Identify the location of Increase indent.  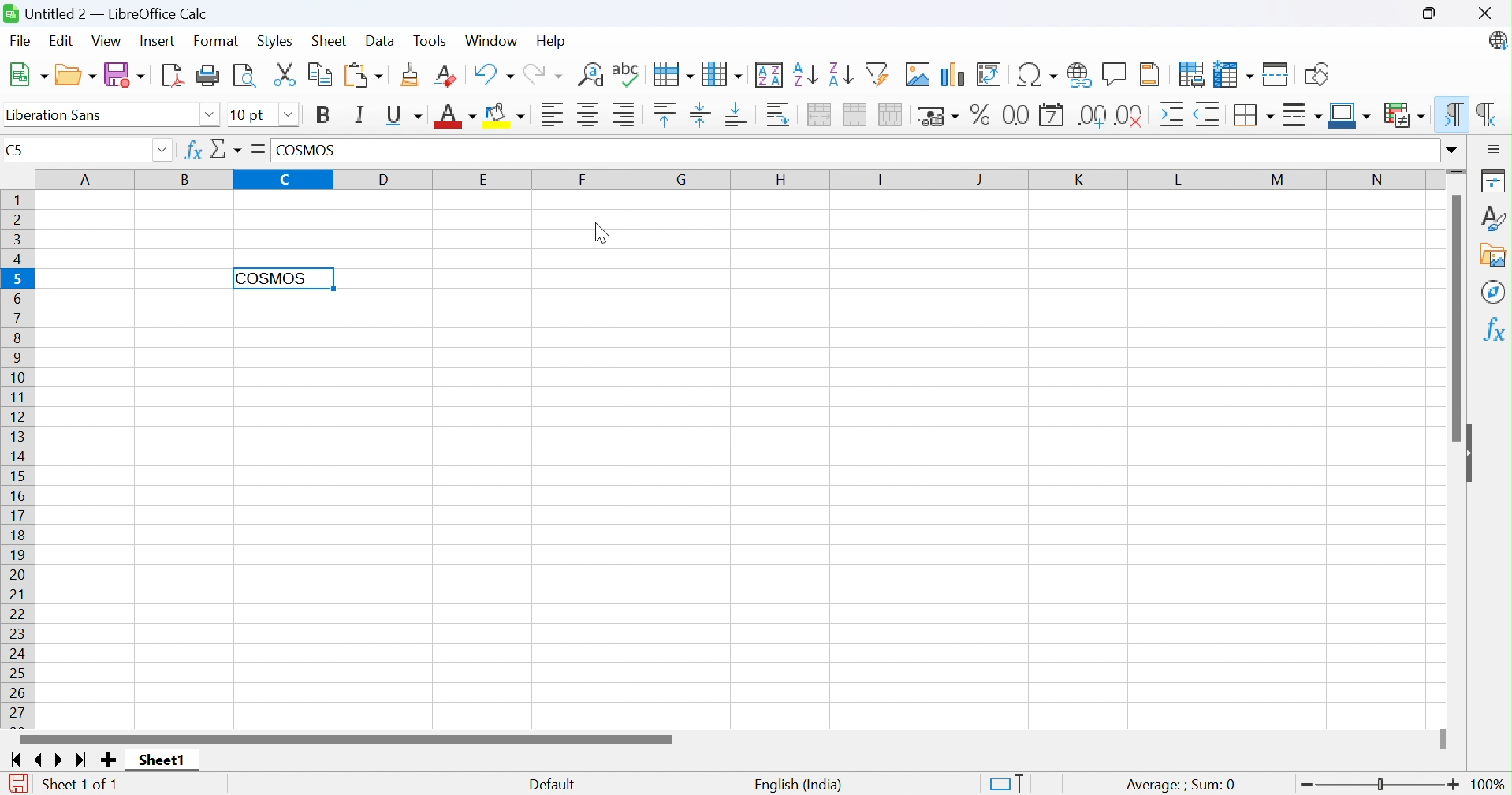
(1169, 113).